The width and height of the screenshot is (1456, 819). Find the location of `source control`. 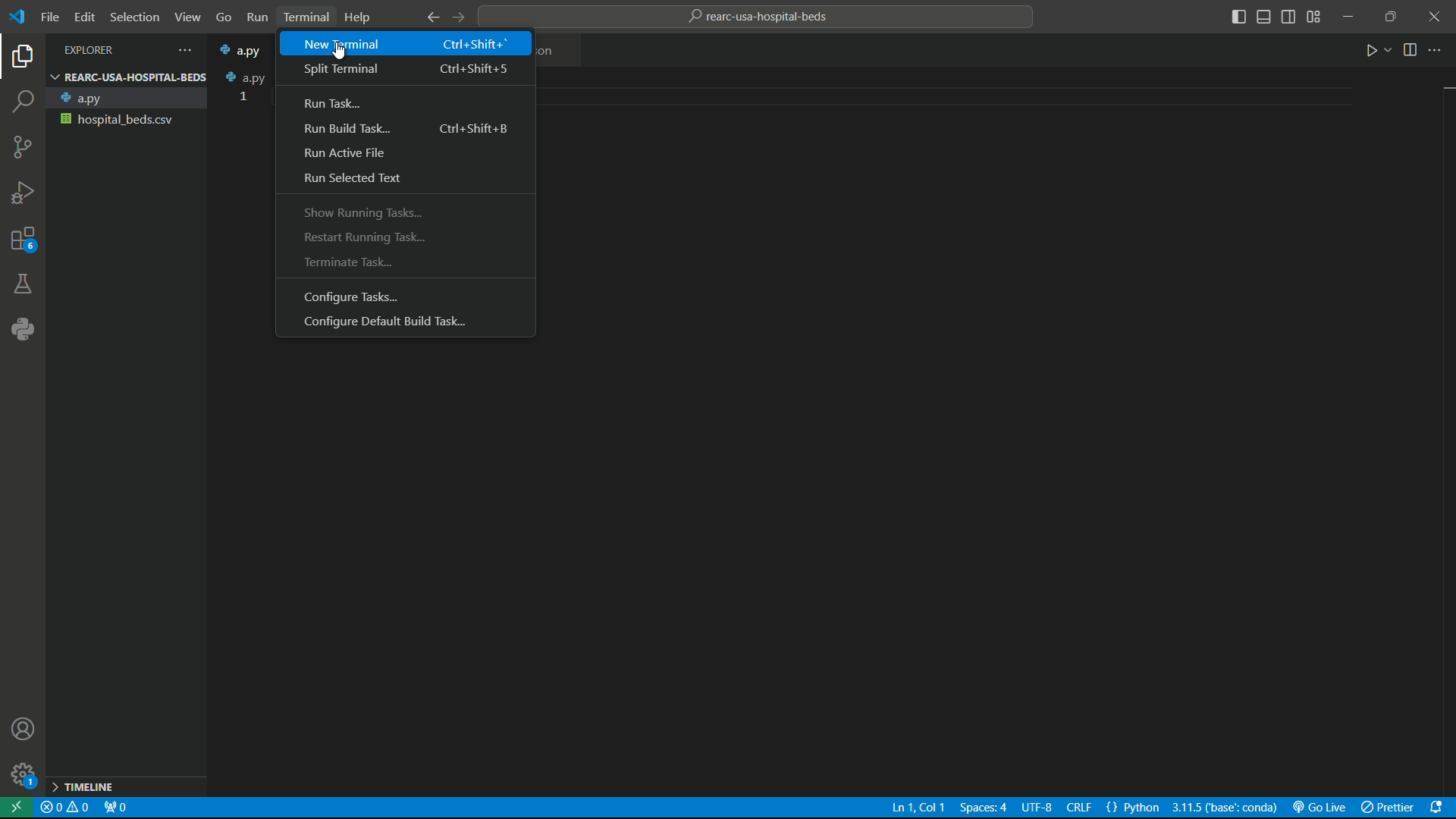

source control is located at coordinates (20, 146).